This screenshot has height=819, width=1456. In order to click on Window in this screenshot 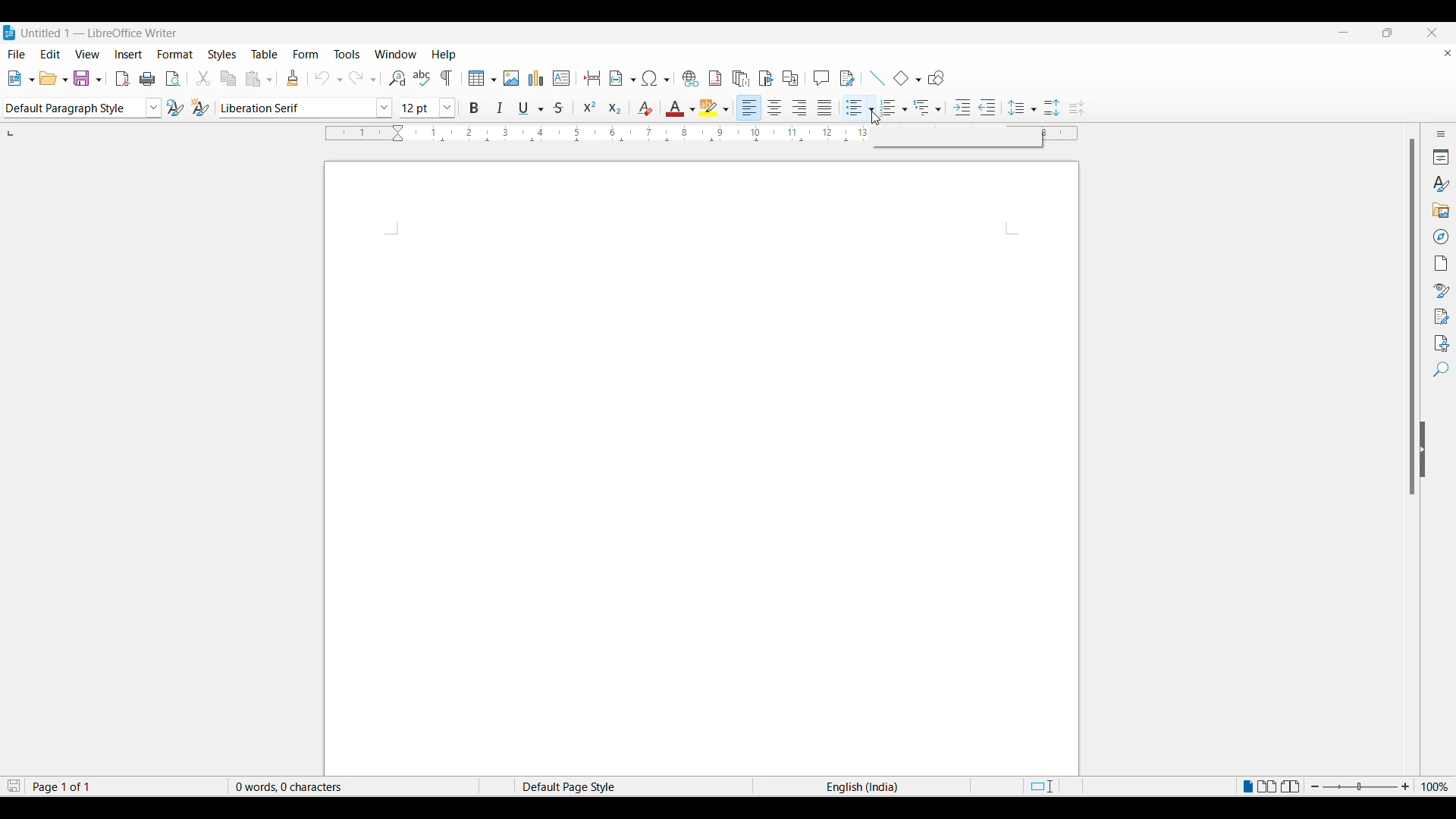, I will do `click(396, 53)`.